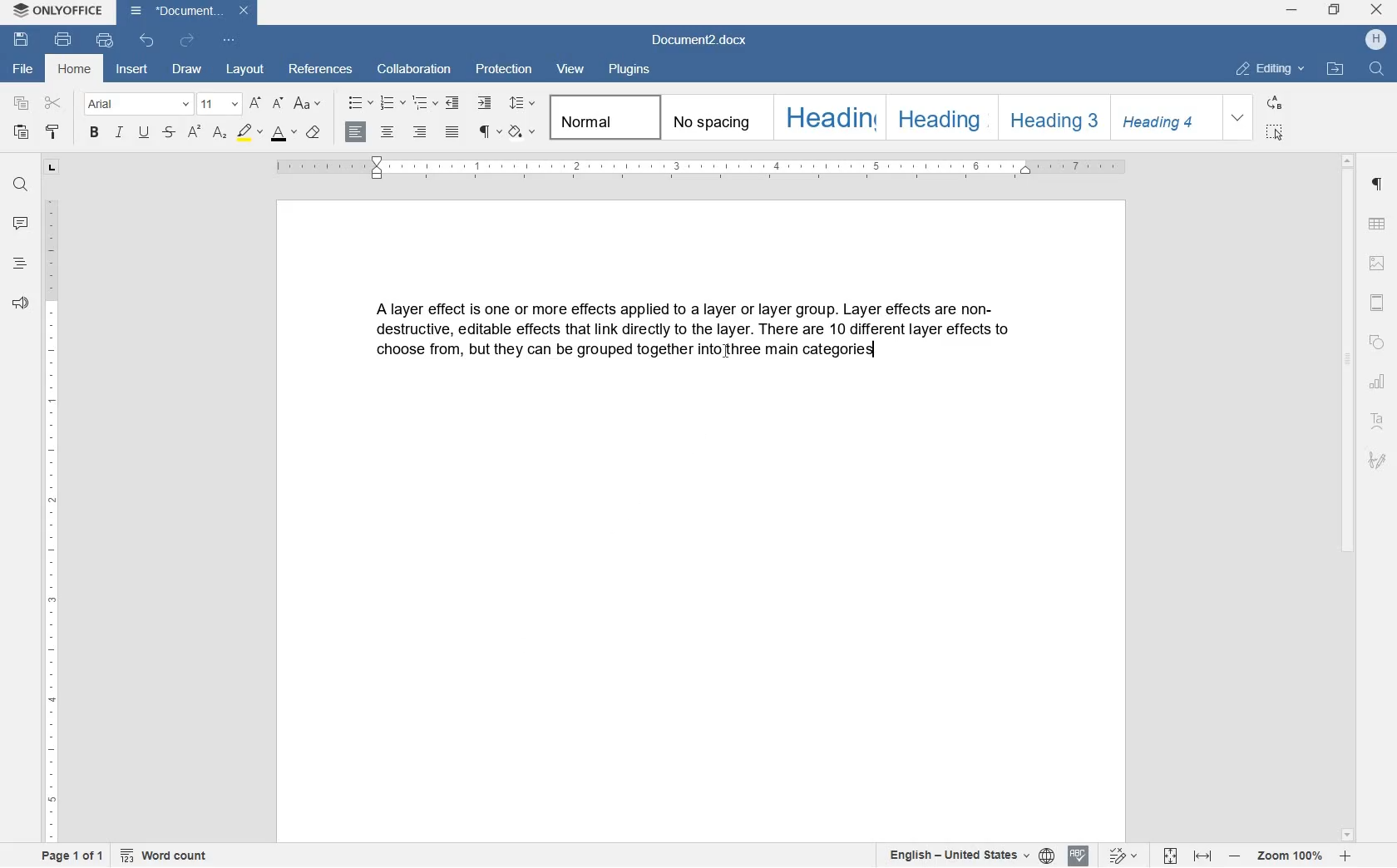  I want to click on font size, so click(218, 103).